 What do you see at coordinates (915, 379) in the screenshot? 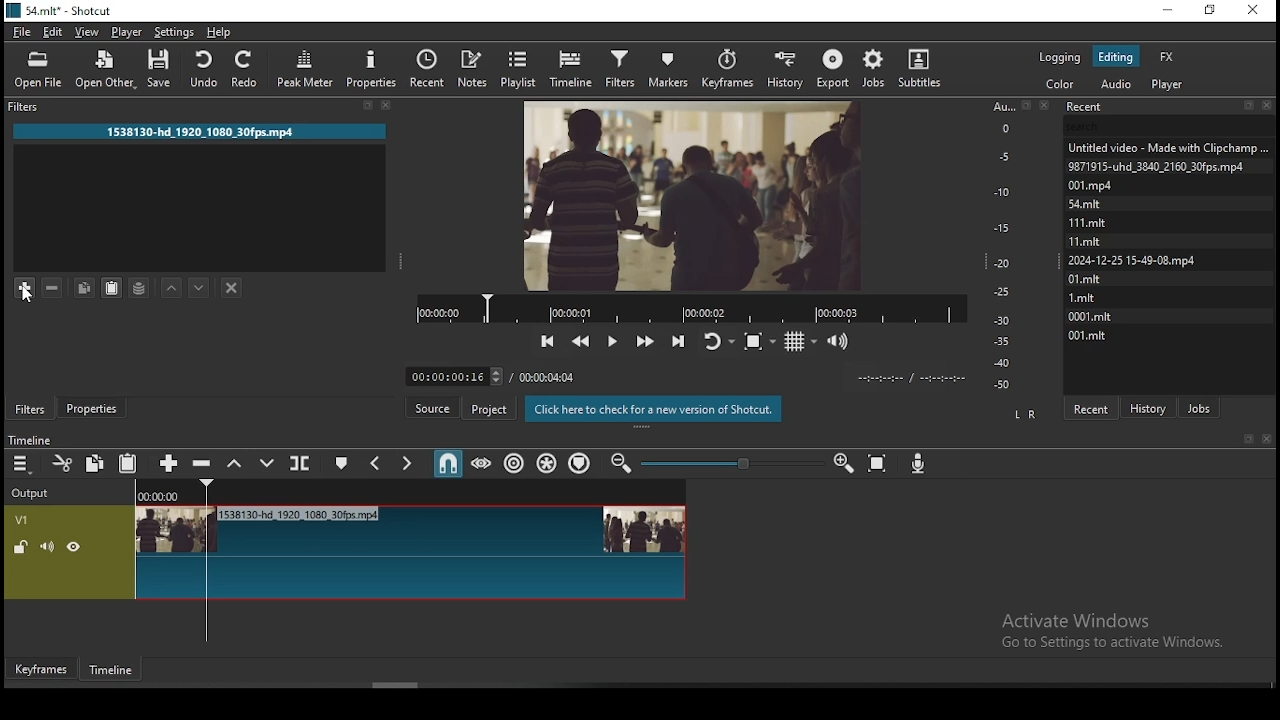
I see `time format` at bounding box center [915, 379].